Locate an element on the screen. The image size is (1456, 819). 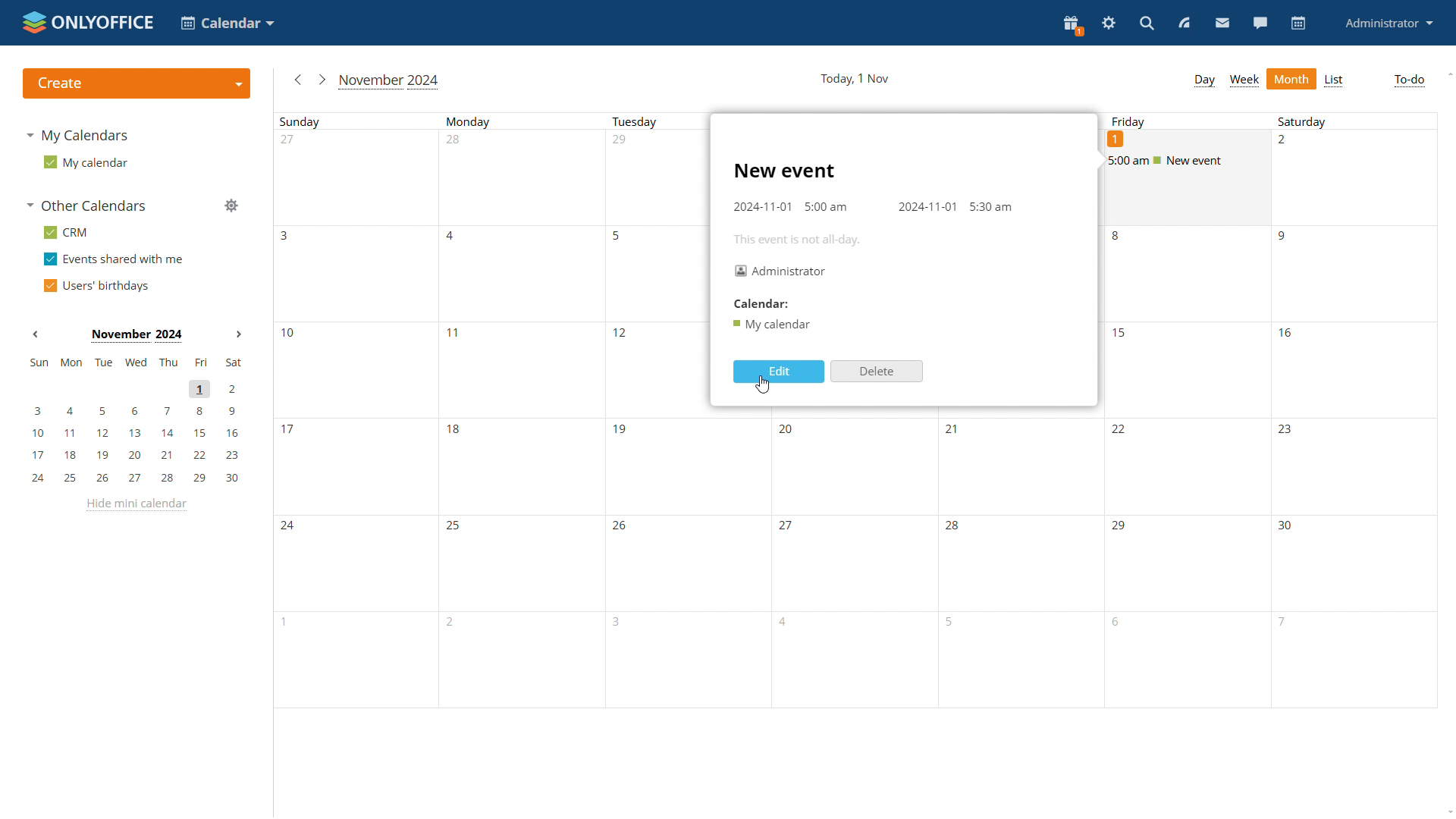
crm is located at coordinates (70, 234).